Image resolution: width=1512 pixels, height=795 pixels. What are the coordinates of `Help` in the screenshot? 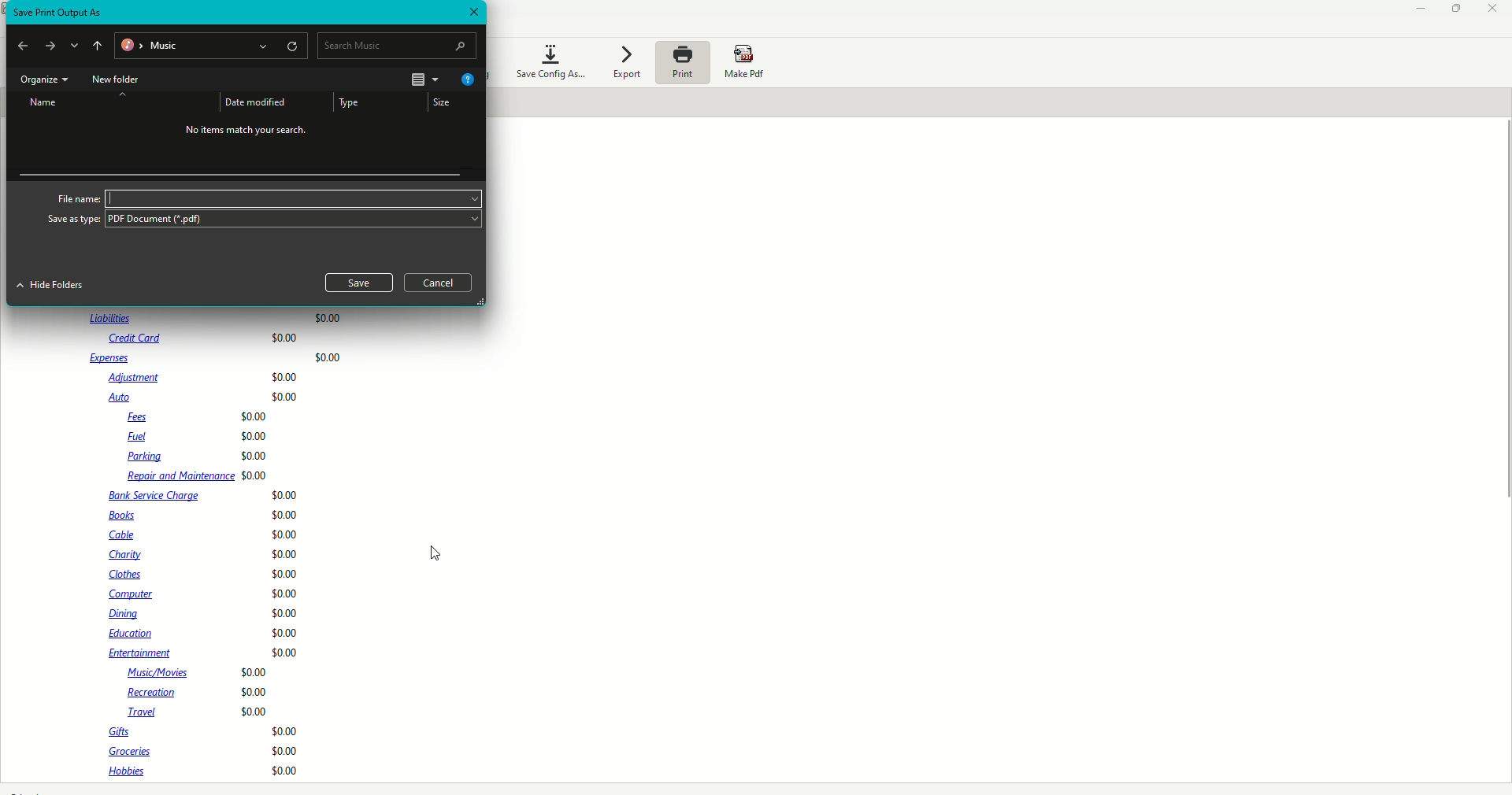 It's located at (466, 80).